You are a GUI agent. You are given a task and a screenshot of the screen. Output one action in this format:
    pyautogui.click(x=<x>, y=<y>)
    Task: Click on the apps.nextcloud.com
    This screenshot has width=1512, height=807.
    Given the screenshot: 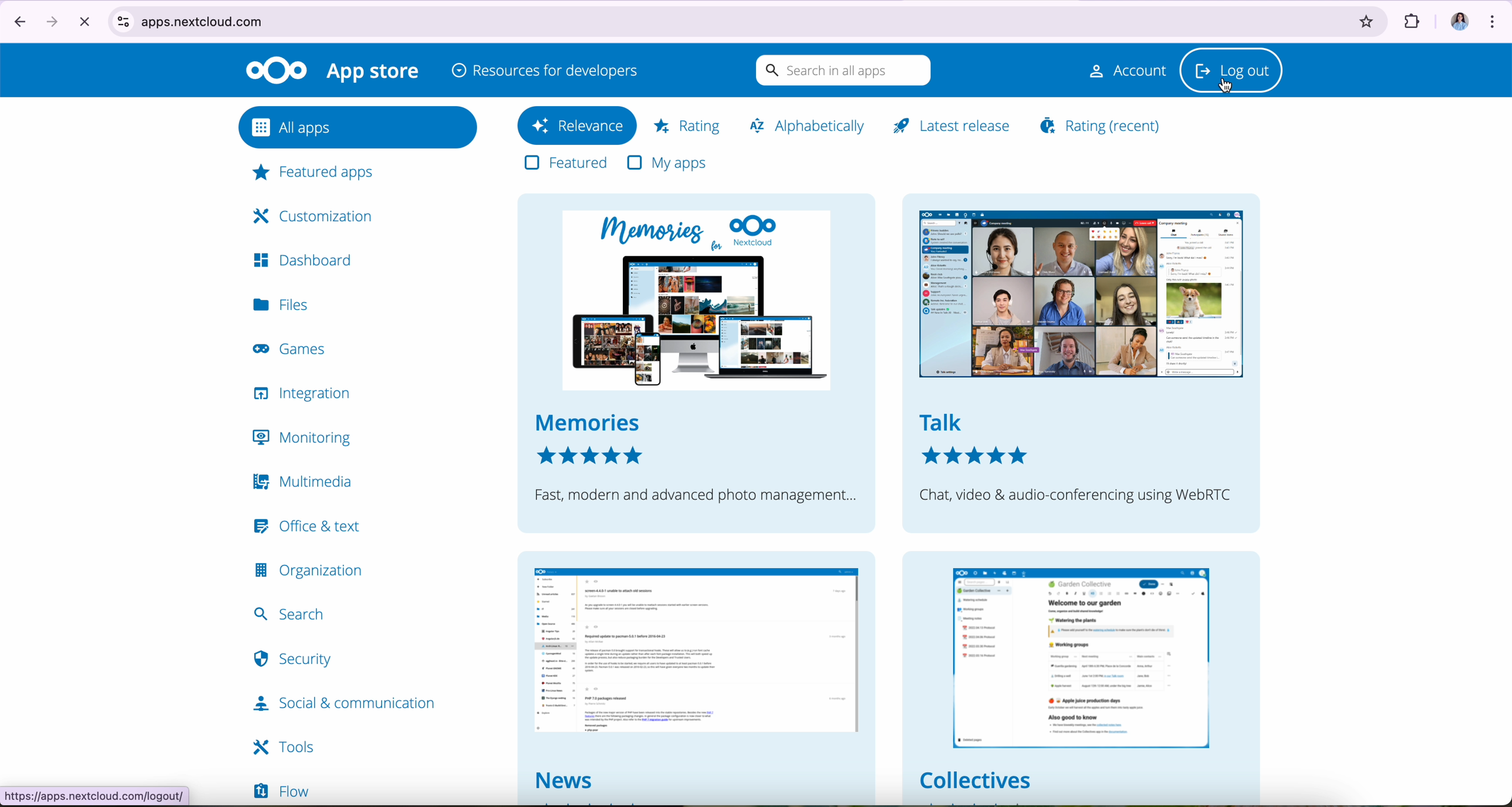 What is the action you would take?
    pyautogui.click(x=701, y=19)
    